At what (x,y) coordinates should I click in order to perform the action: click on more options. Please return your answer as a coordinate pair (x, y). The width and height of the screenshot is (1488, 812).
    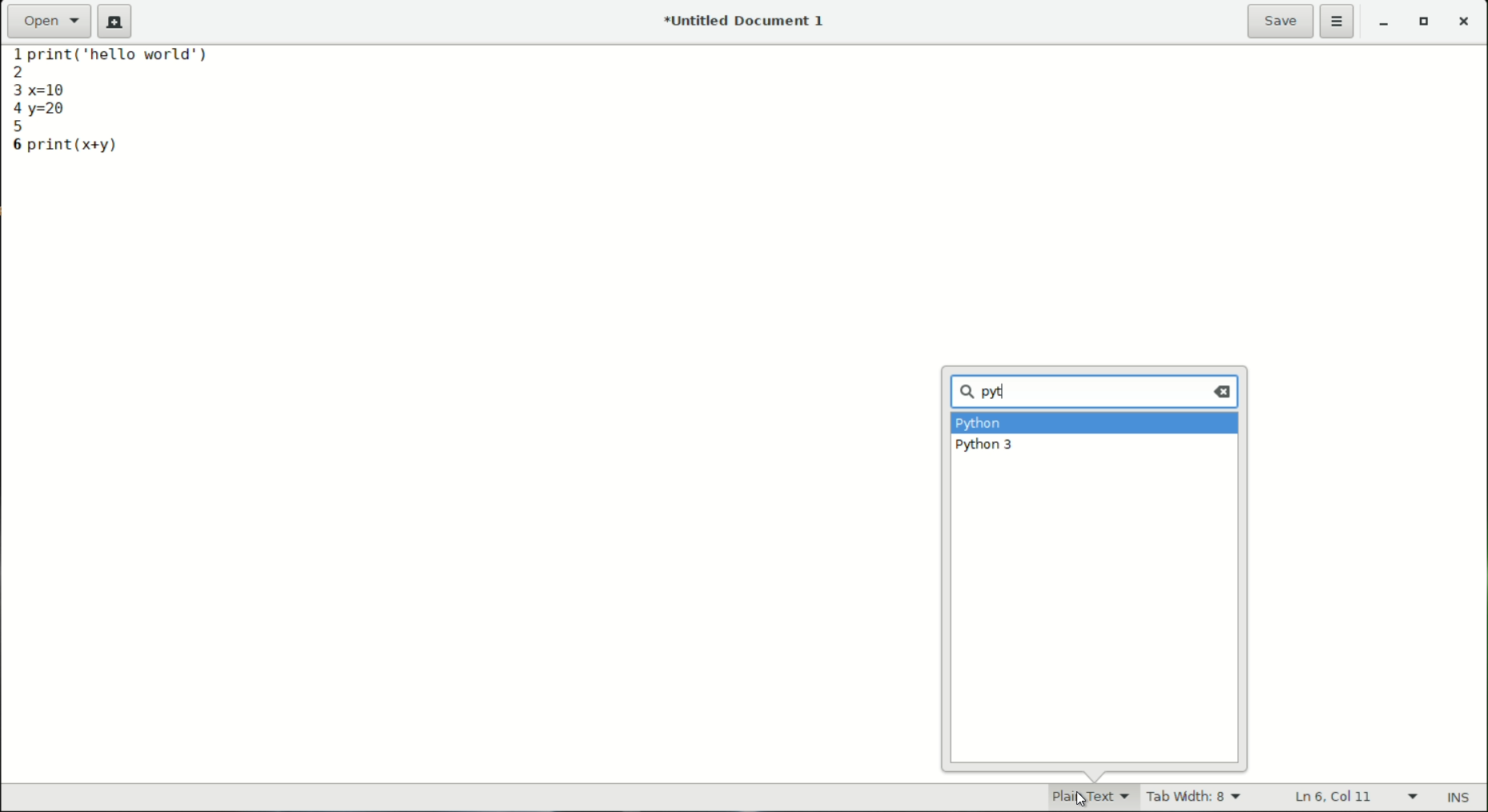
    Looking at the image, I should click on (1339, 22).